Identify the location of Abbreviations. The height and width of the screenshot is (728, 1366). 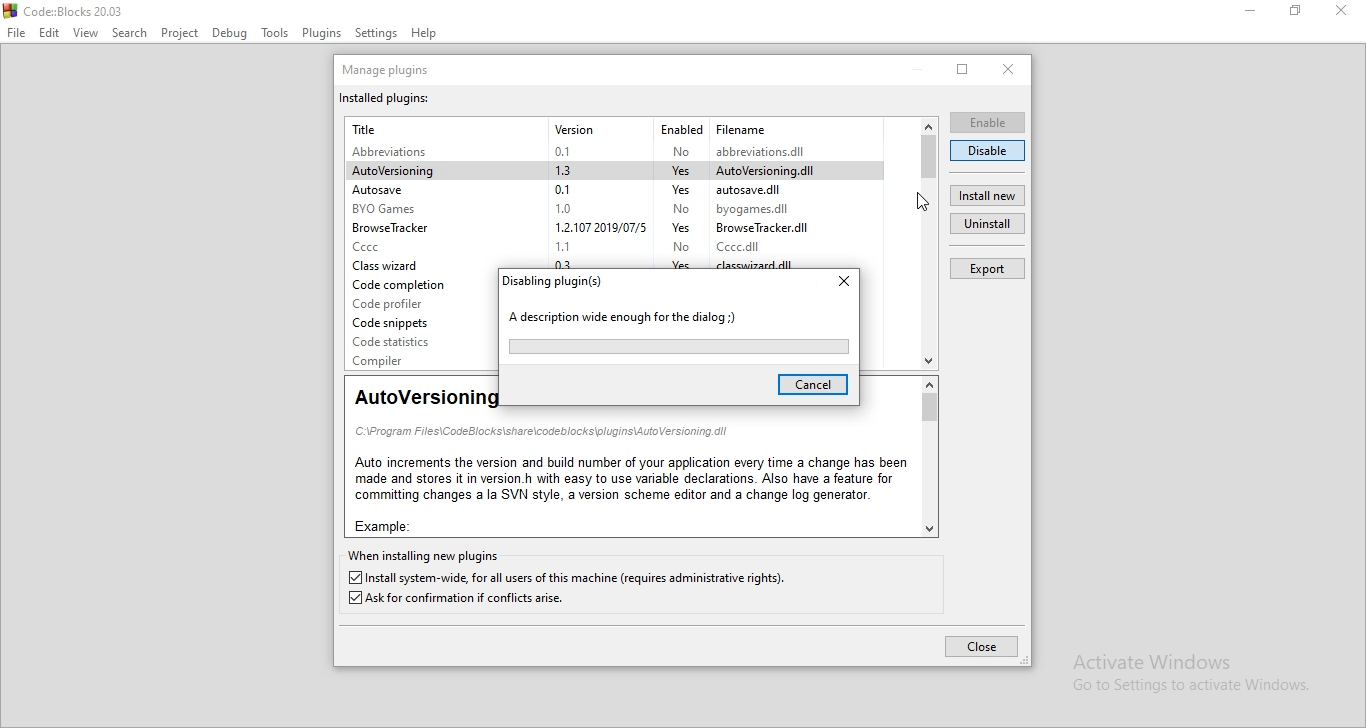
(398, 152).